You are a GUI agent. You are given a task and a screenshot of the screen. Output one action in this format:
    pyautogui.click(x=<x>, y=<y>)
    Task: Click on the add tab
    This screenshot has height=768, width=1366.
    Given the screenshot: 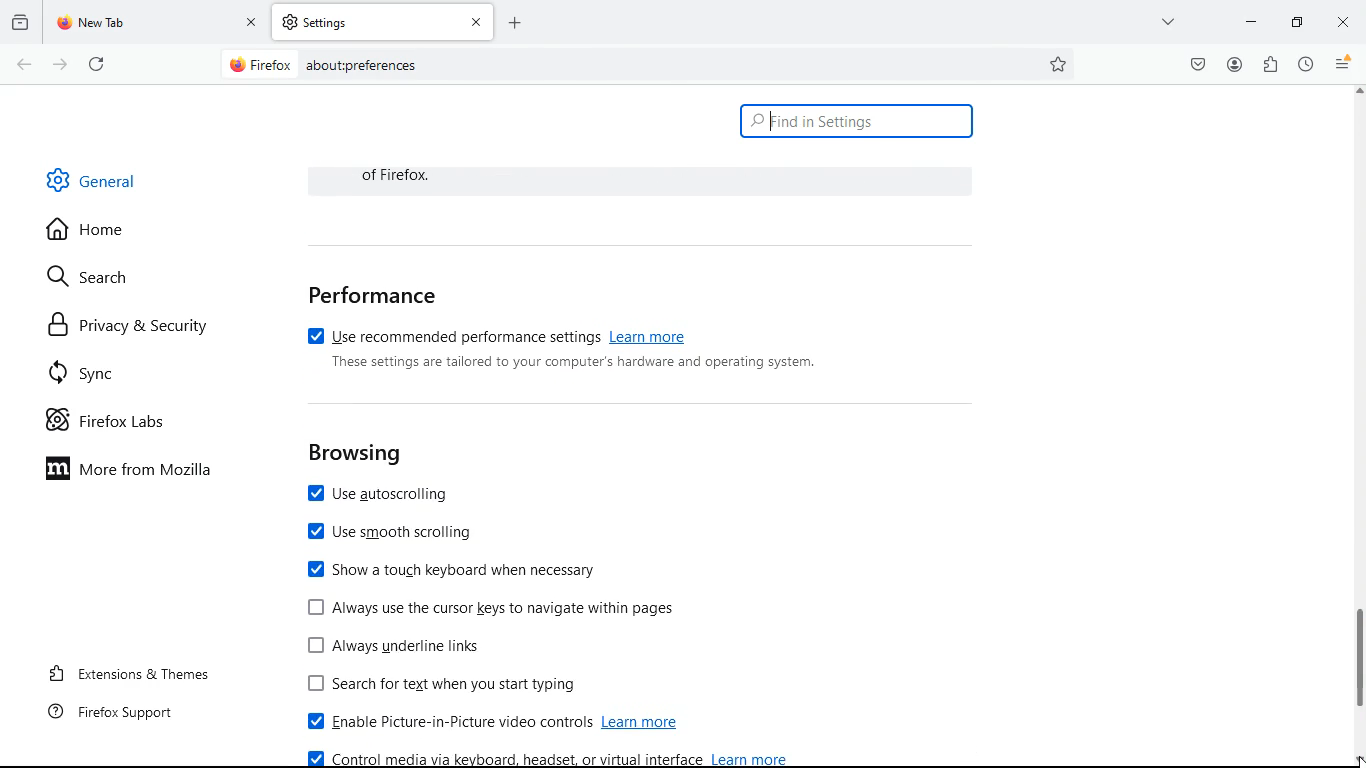 What is the action you would take?
    pyautogui.click(x=515, y=22)
    